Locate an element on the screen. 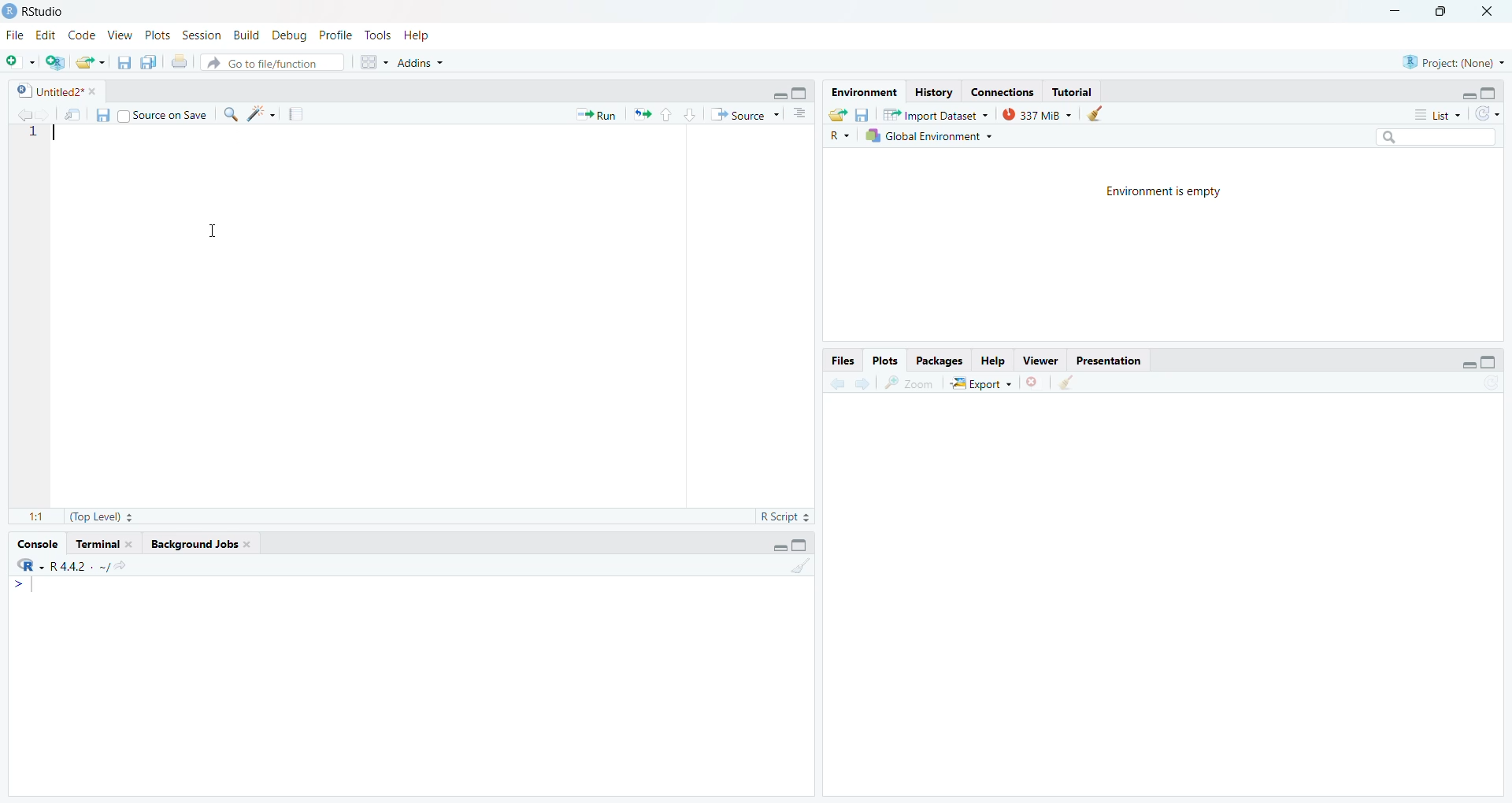 This screenshot has width=1512, height=803. go back to the next source location is located at coordinates (50, 115).